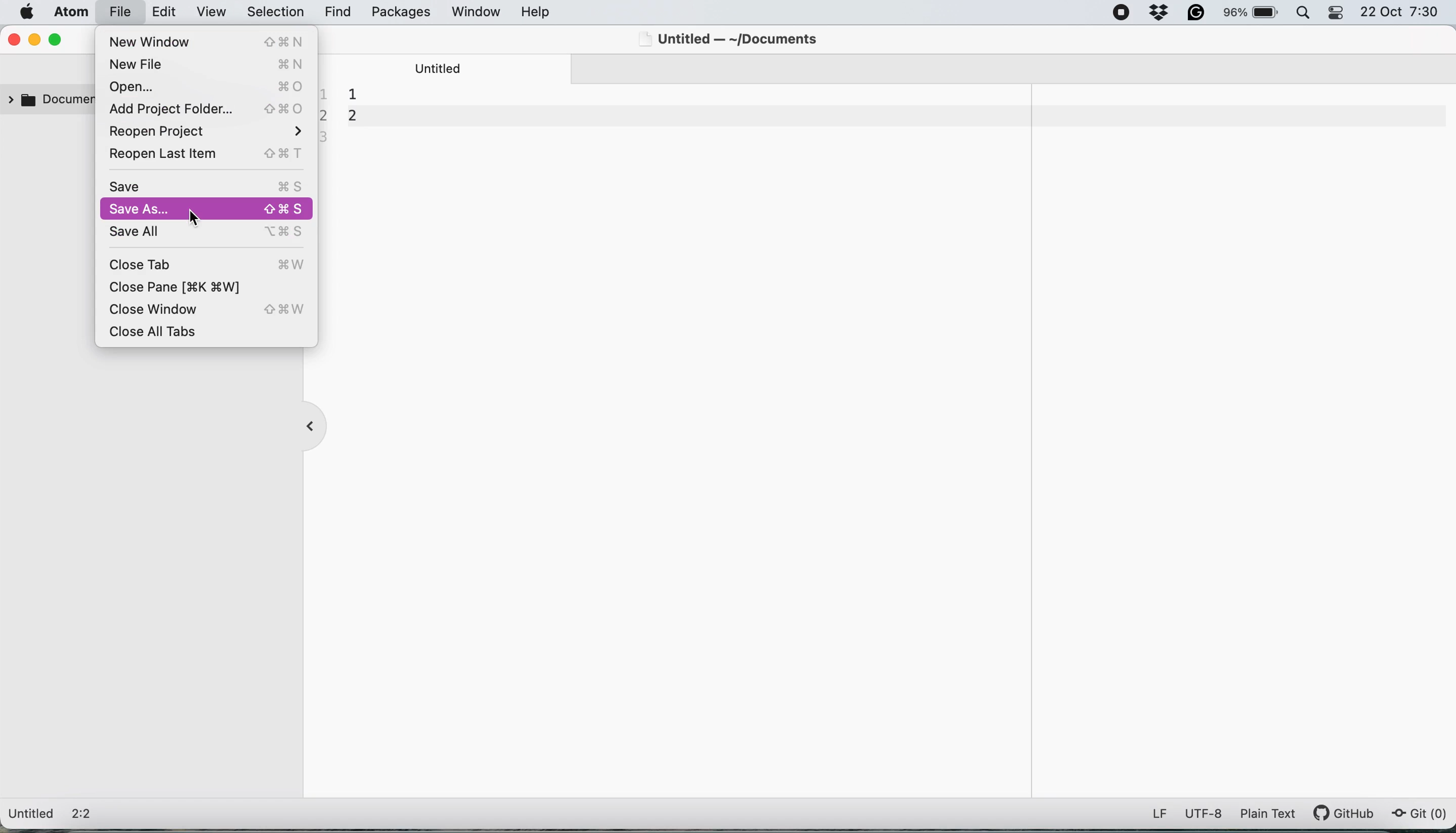  What do you see at coordinates (1266, 816) in the screenshot?
I see `plain text` at bounding box center [1266, 816].